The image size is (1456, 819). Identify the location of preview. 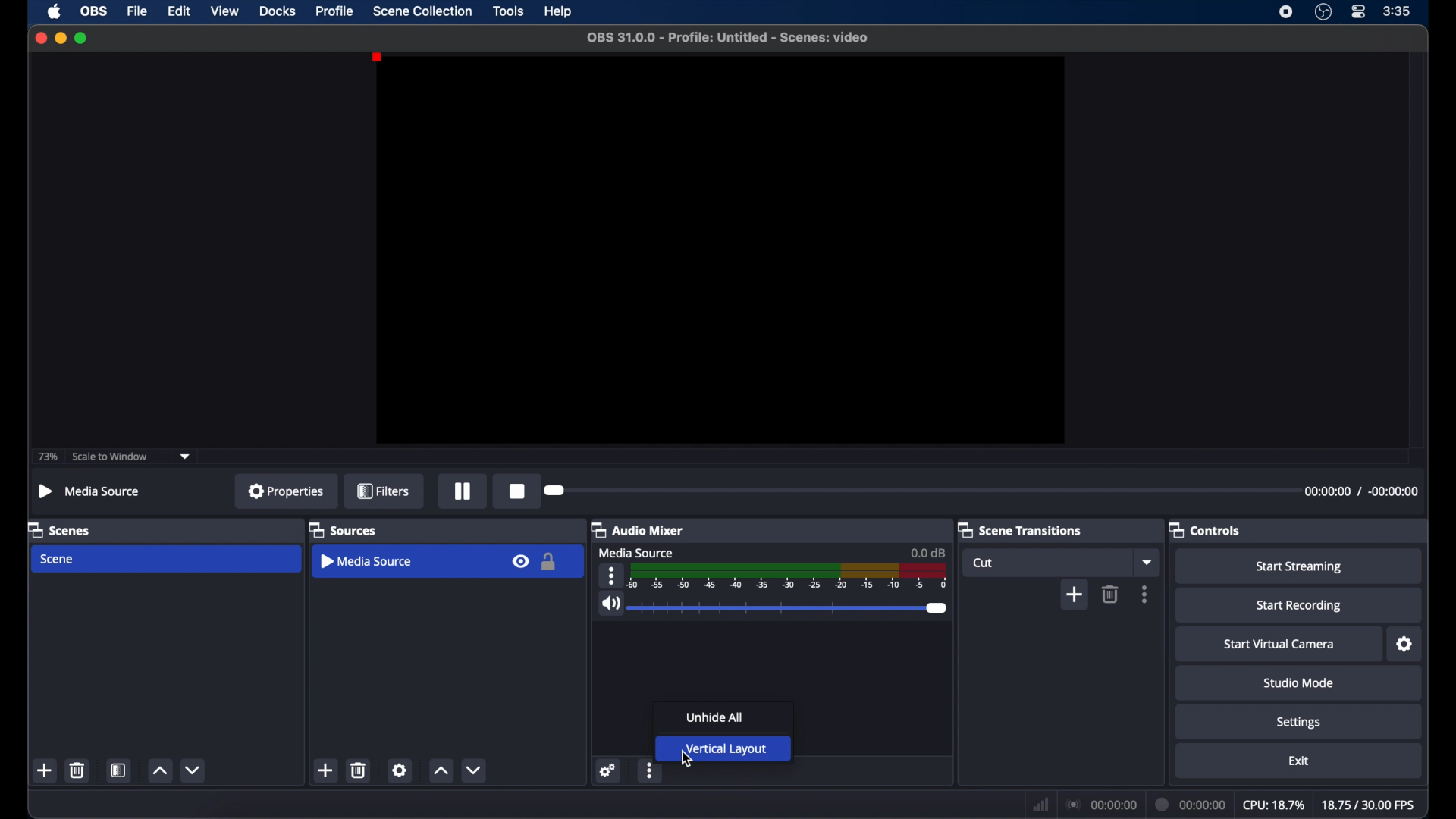
(720, 250).